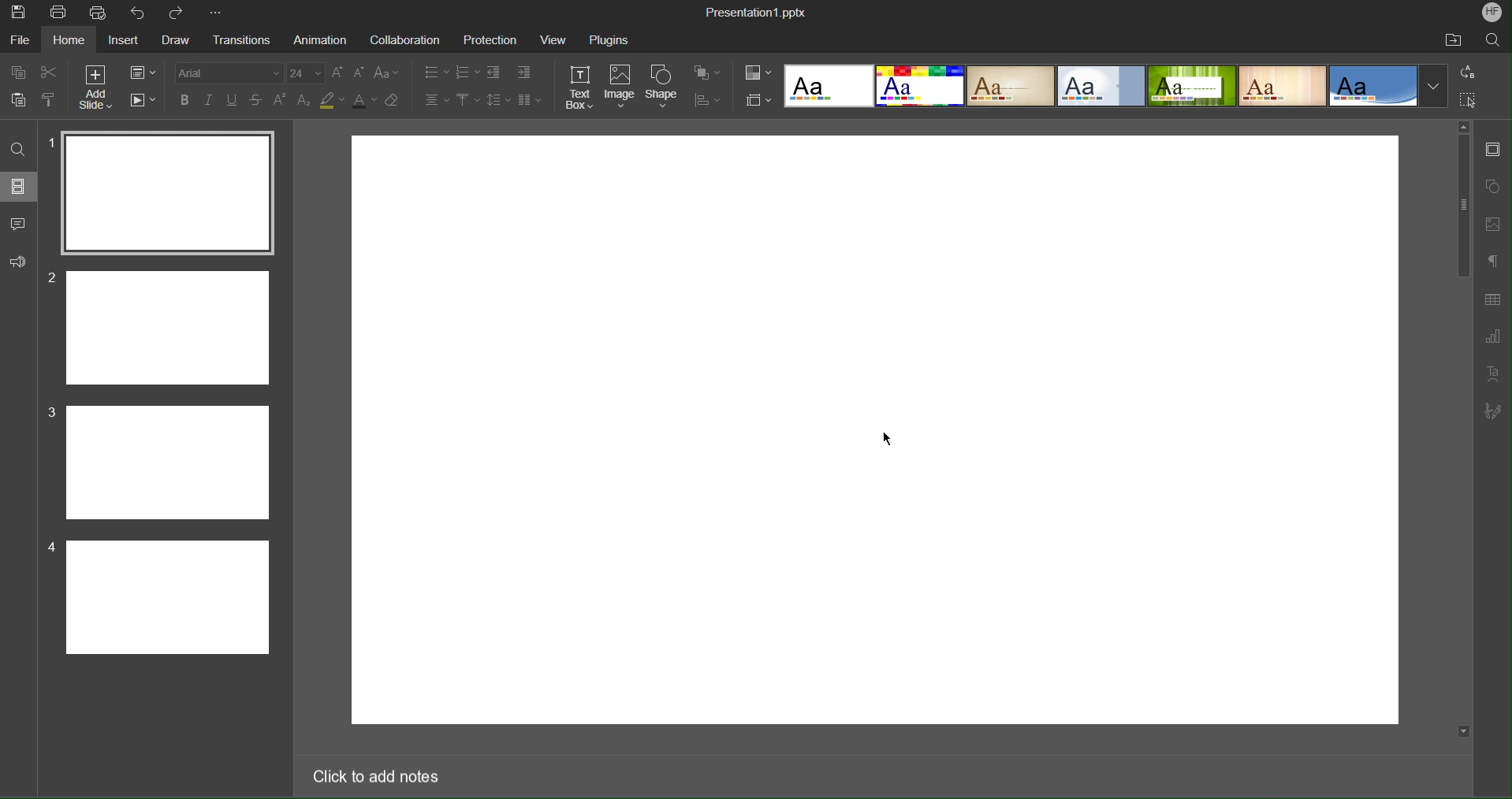 The width and height of the screenshot is (1512, 799). What do you see at coordinates (100, 13) in the screenshot?
I see `Quick Print` at bounding box center [100, 13].